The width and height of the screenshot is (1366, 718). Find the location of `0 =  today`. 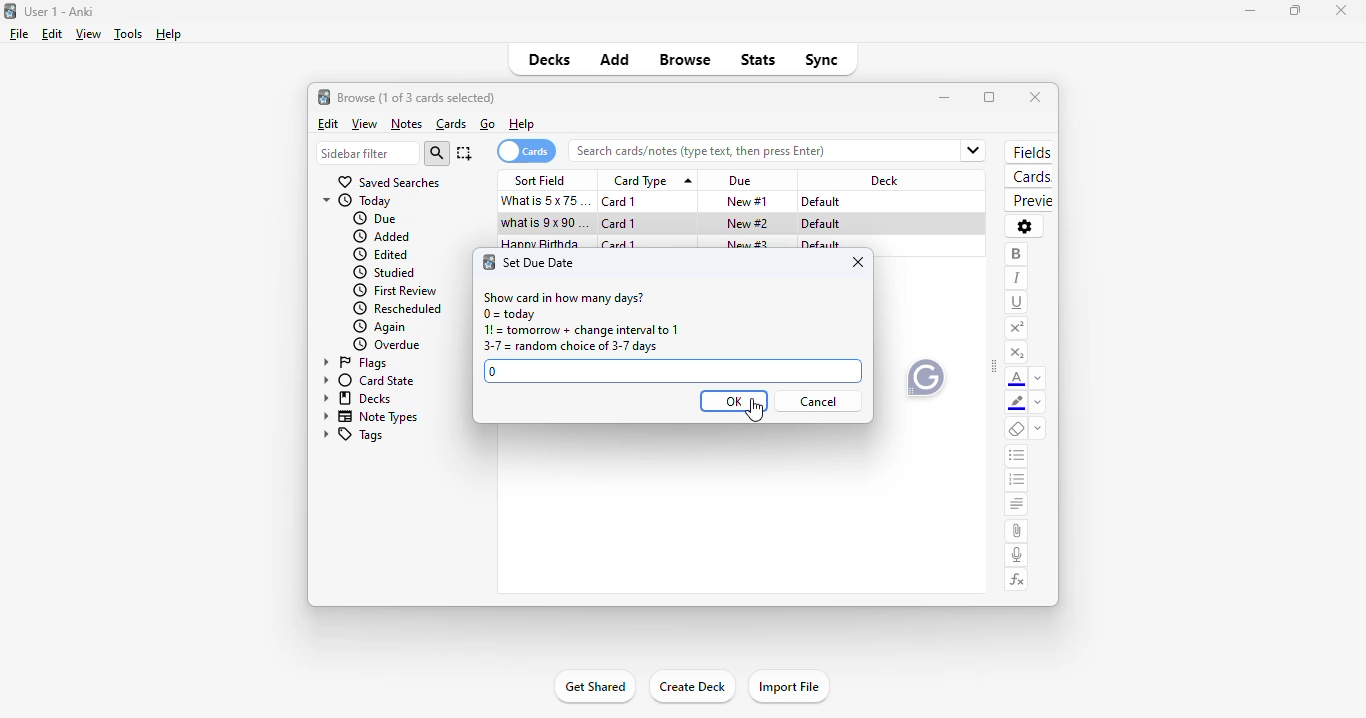

0 =  today is located at coordinates (509, 315).